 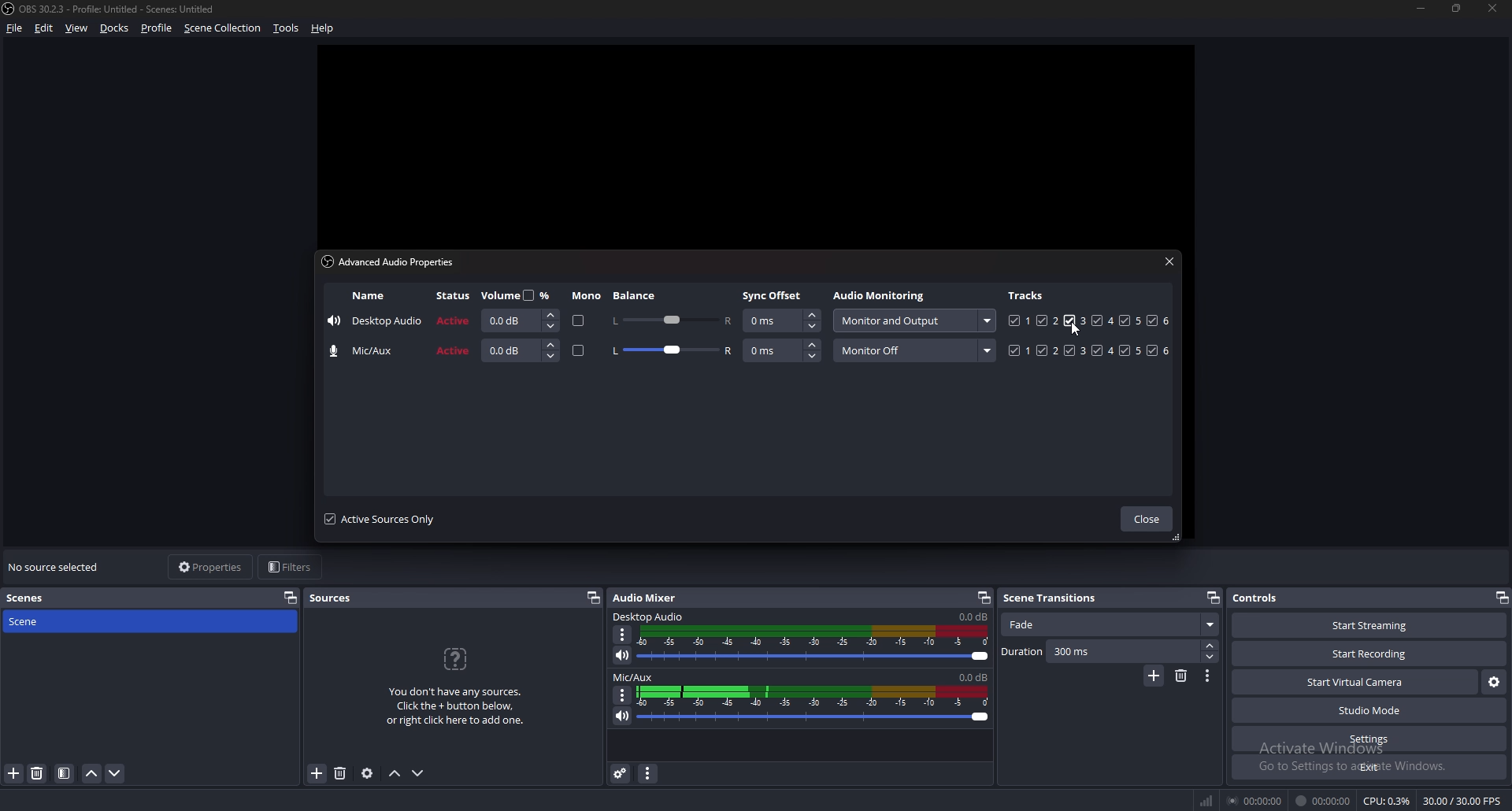 What do you see at coordinates (1109, 625) in the screenshot?
I see `fade` at bounding box center [1109, 625].